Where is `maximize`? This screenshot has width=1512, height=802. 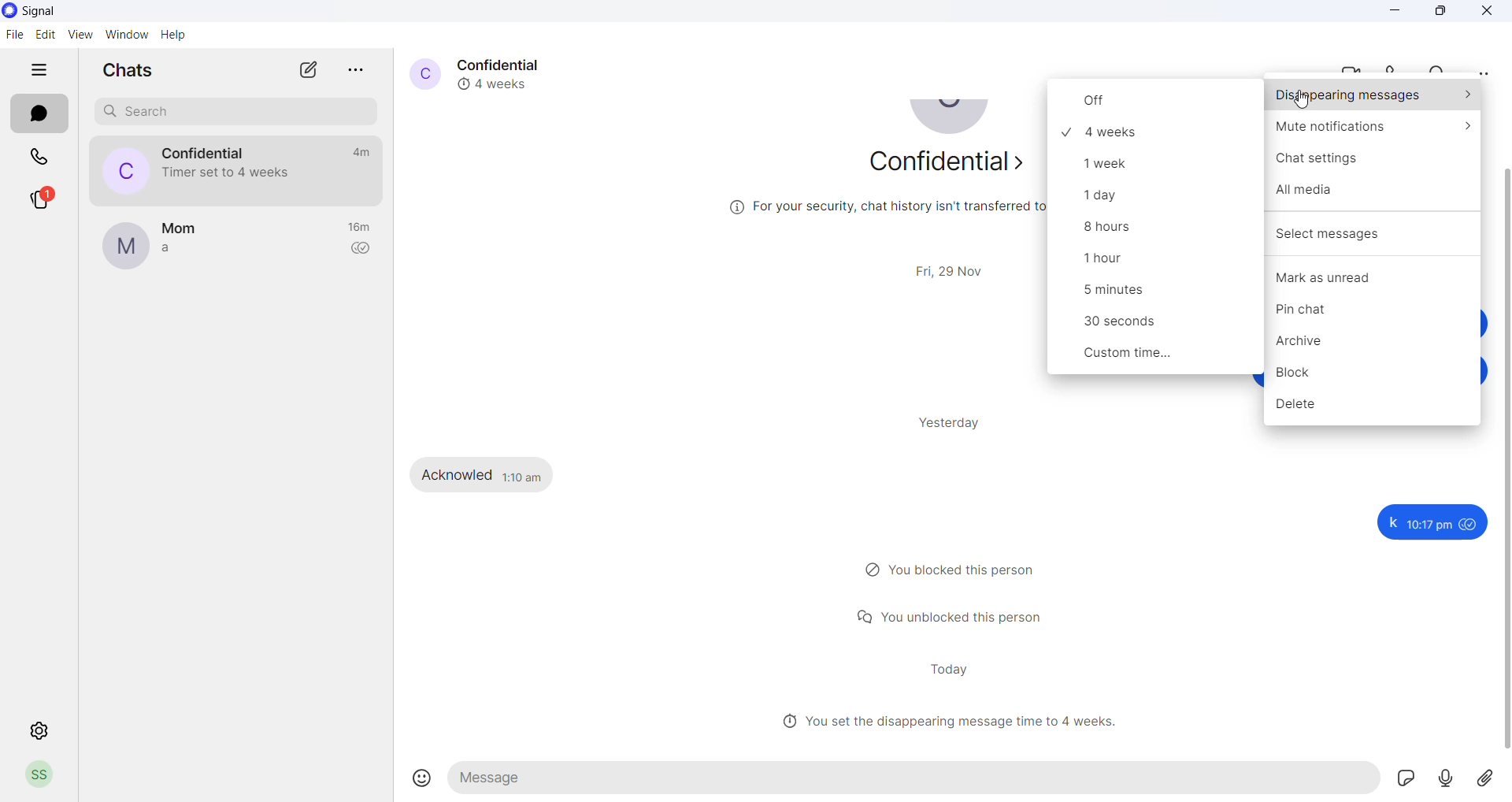 maximize is located at coordinates (1442, 12).